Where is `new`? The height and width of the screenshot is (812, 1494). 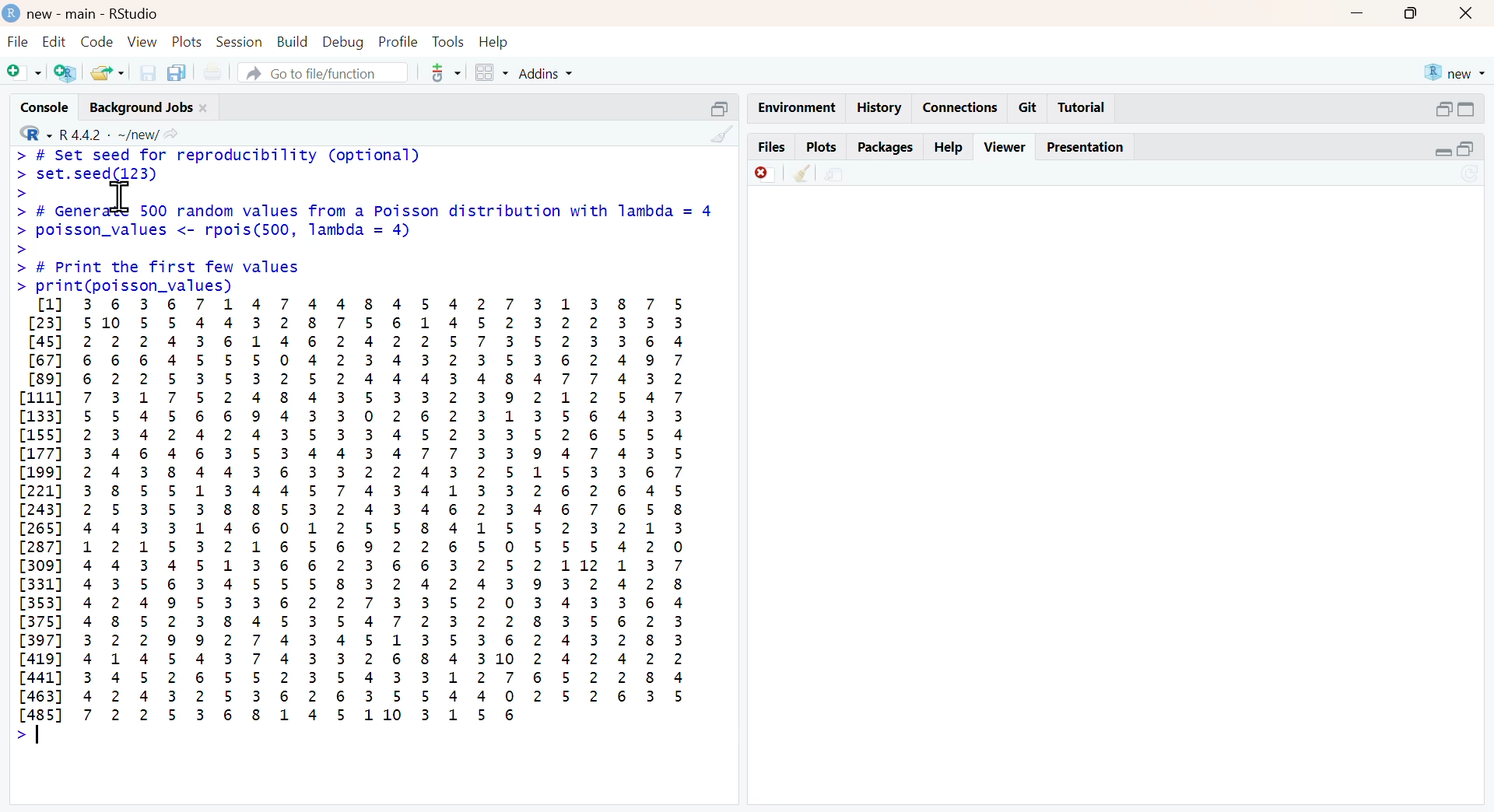 new is located at coordinates (1456, 74).